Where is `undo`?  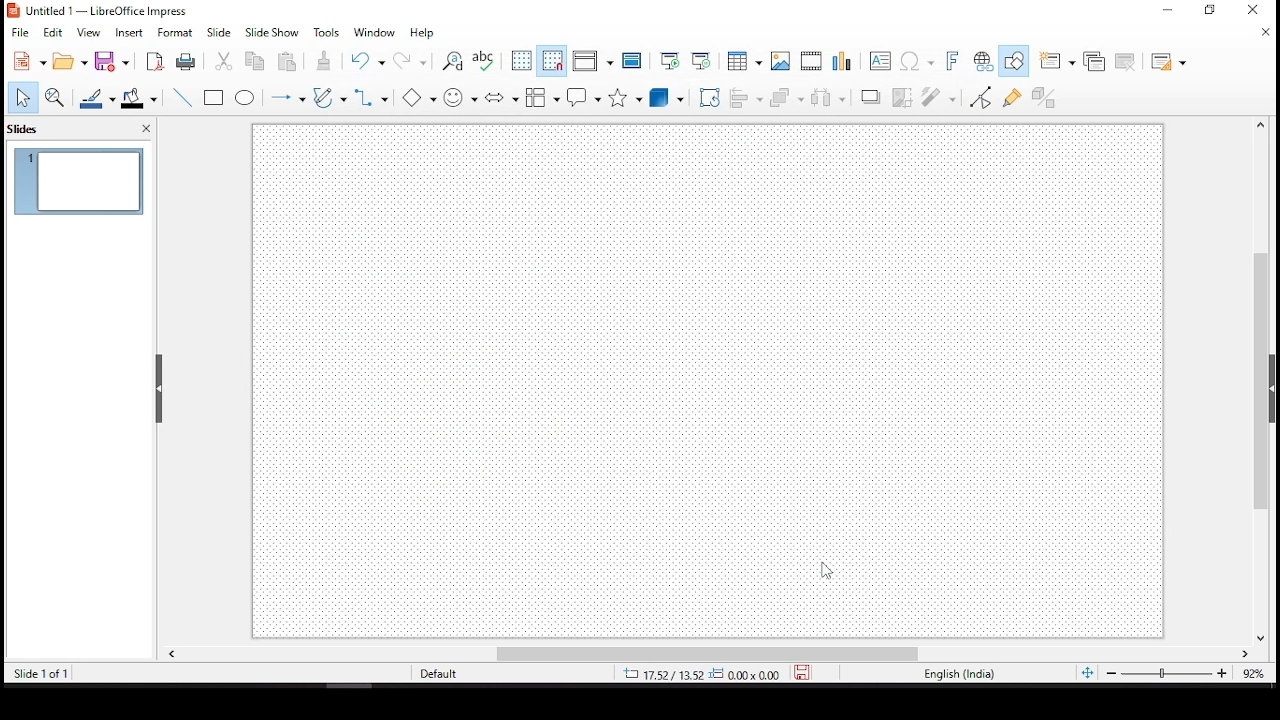 undo is located at coordinates (364, 61).